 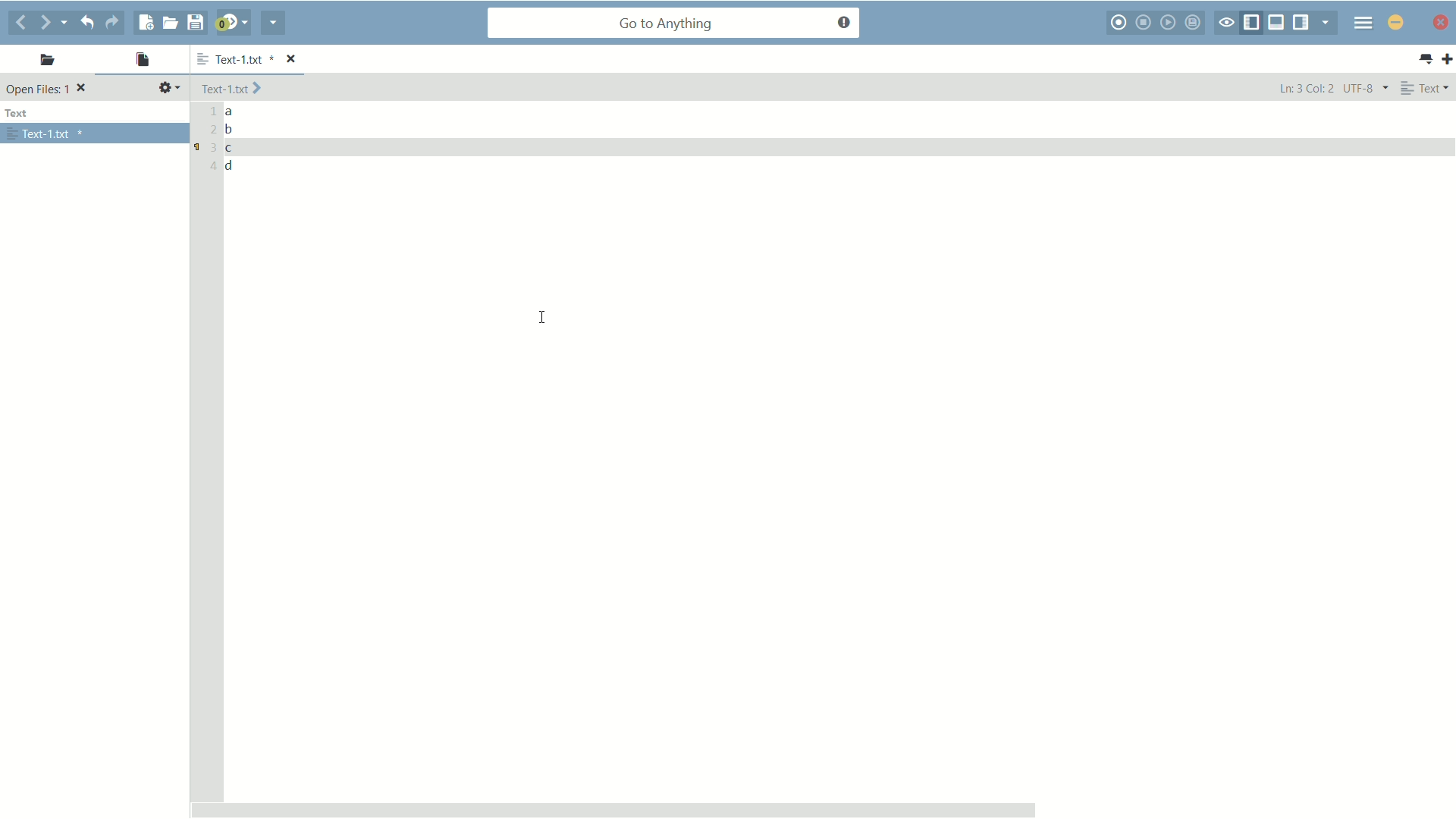 I want to click on undo, so click(x=90, y=22).